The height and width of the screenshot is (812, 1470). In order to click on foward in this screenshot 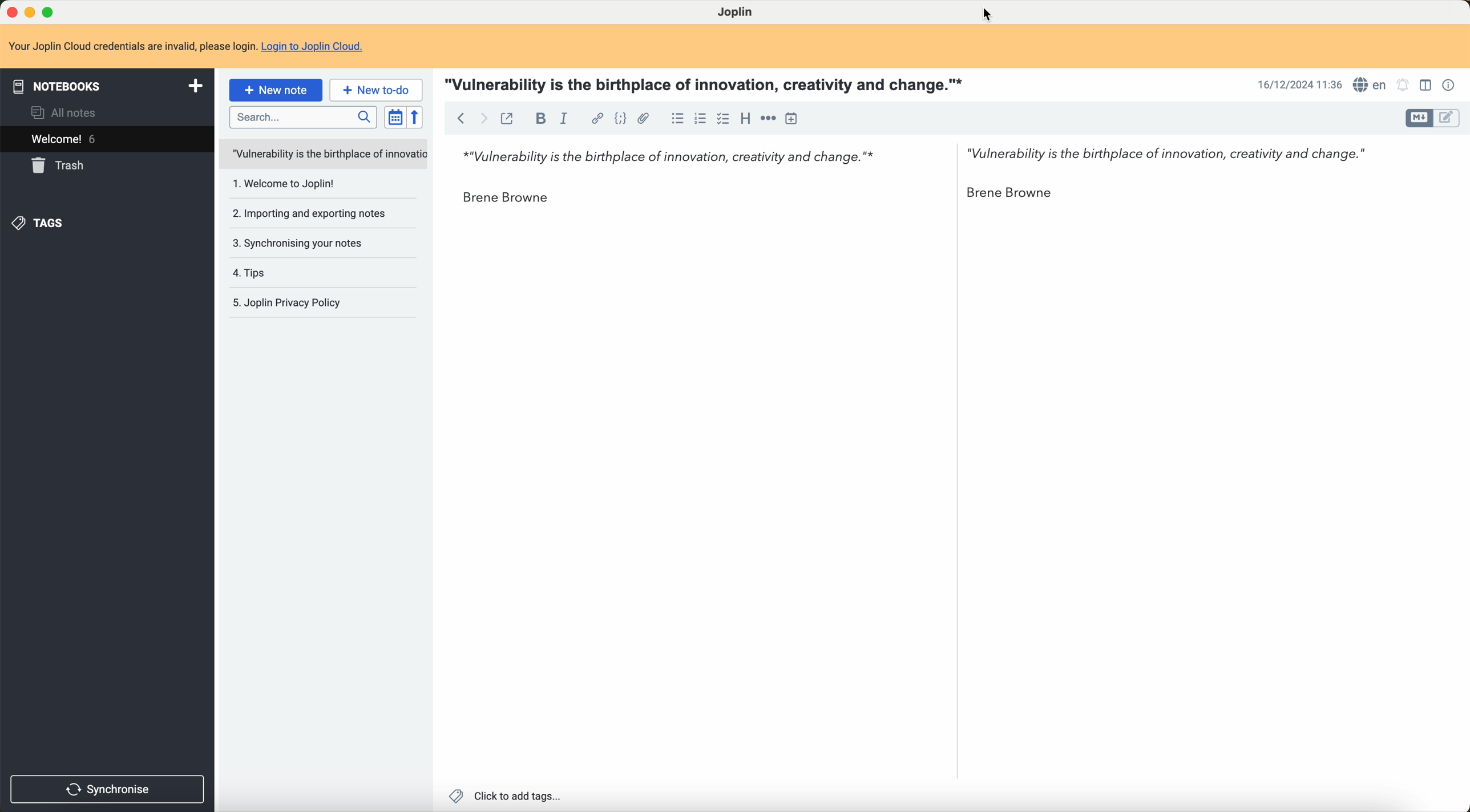, I will do `click(486, 118)`.